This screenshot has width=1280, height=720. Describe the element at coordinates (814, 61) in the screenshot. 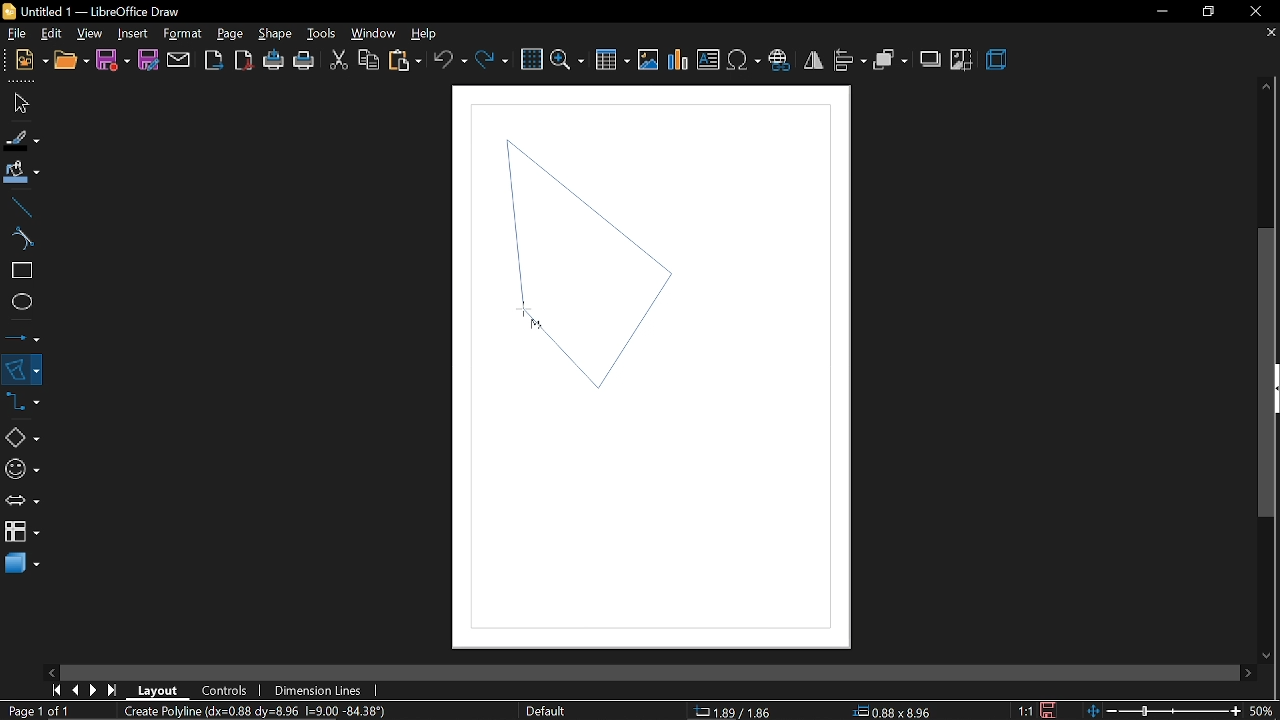

I see `flip` at that location.